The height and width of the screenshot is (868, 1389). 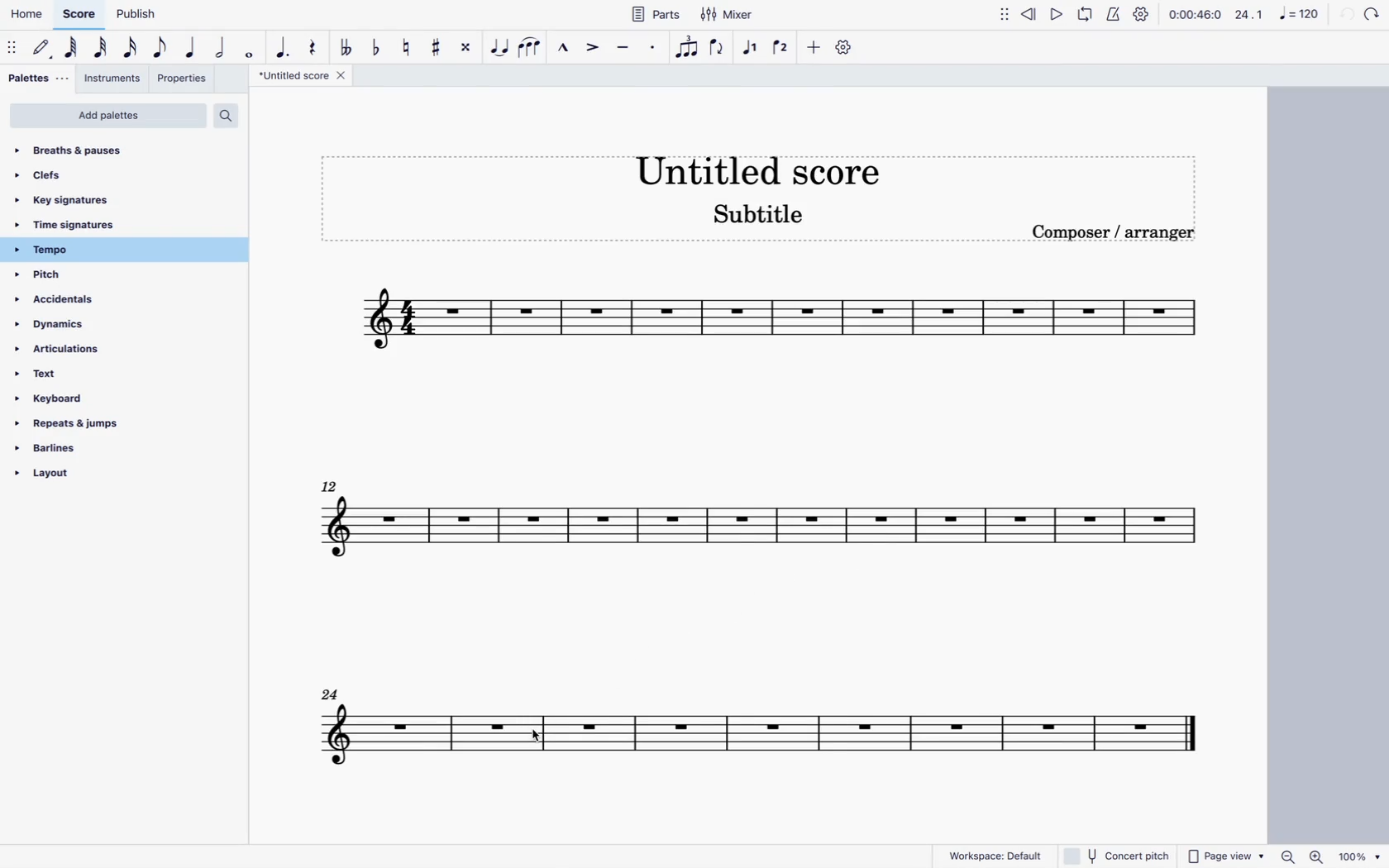 I want to click on move, so click(x=1000, y=14).